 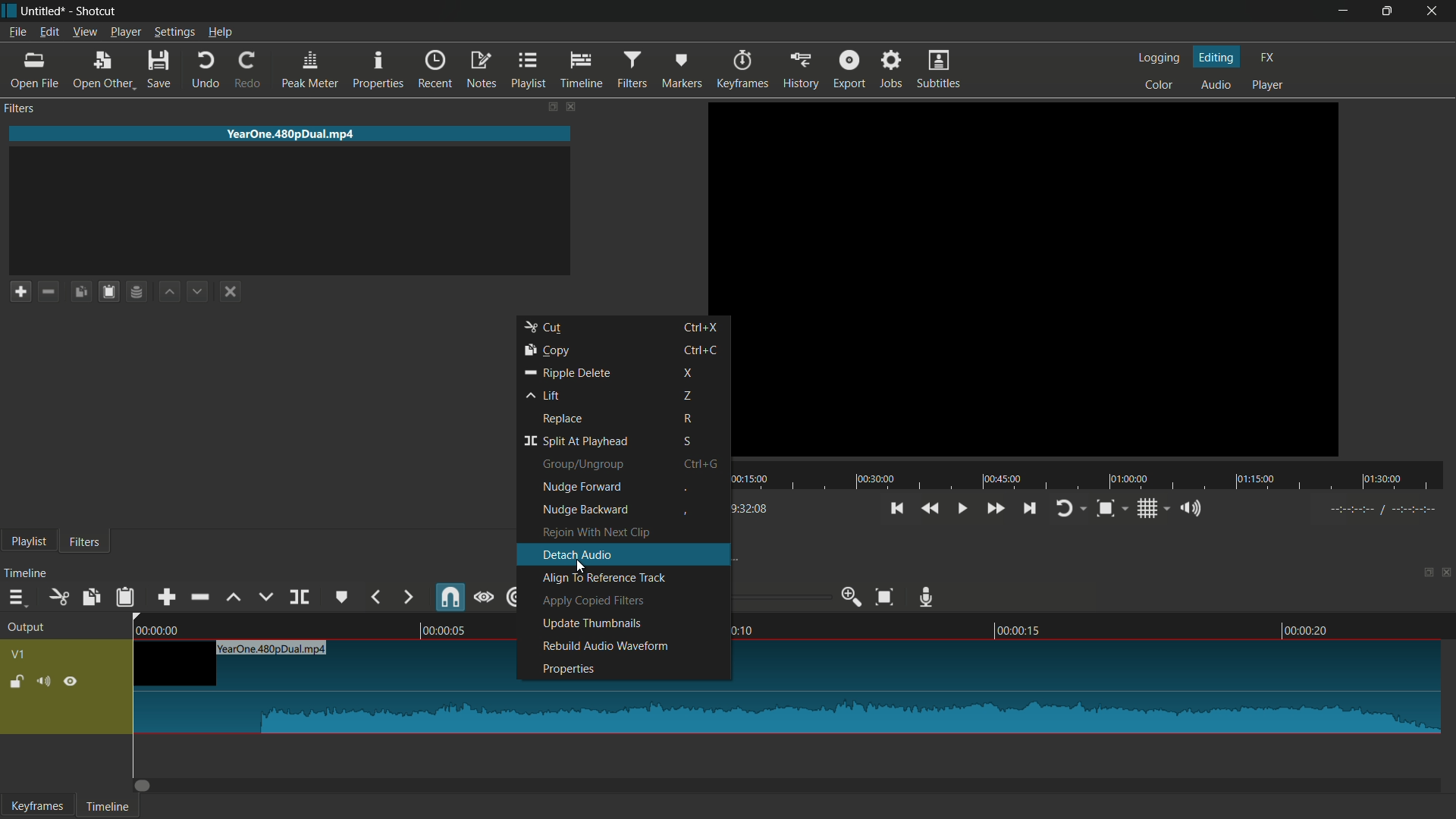 I want to click on update thumbnails, so click(x=592, y=623).